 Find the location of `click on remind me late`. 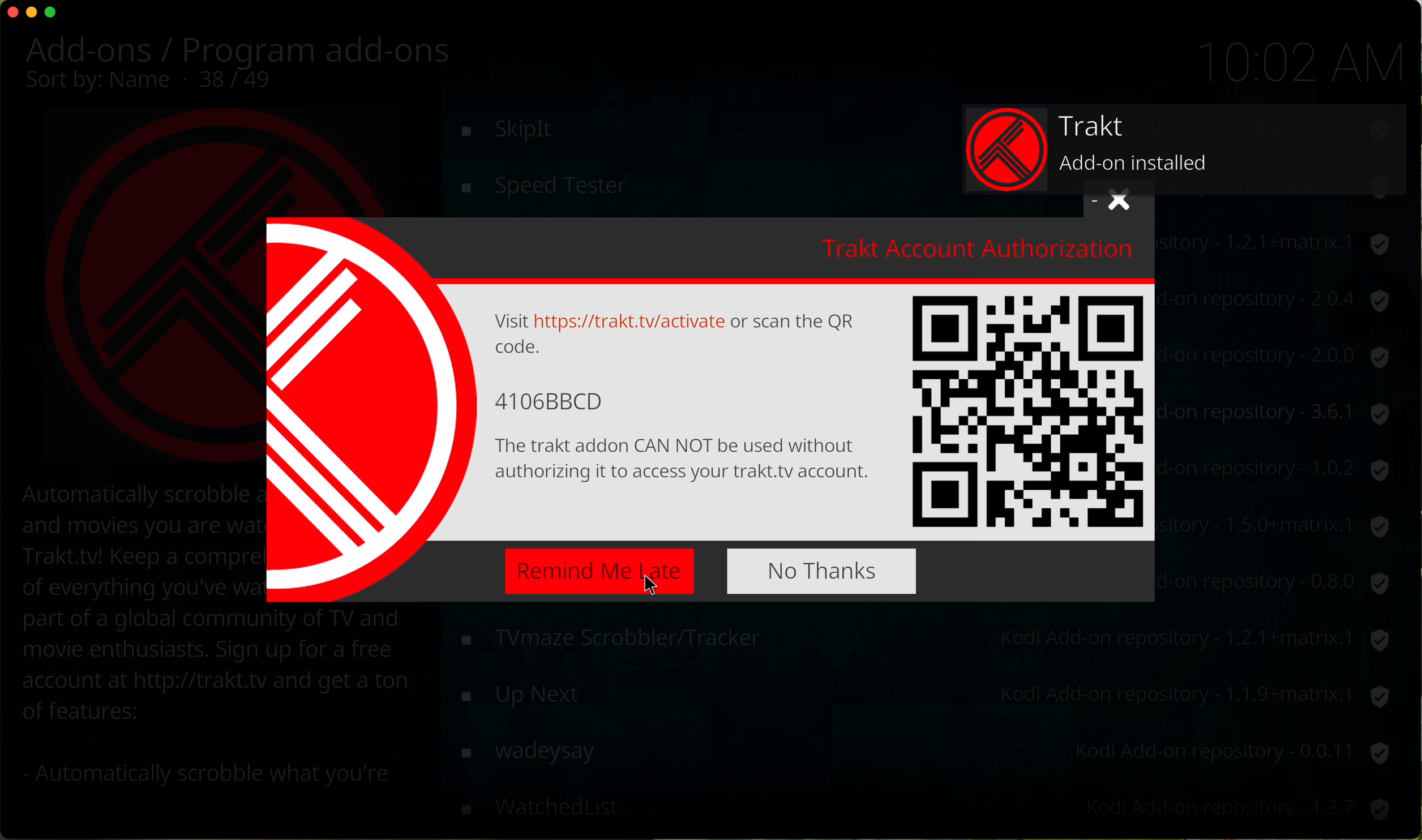

click on remind me late is located at coordinates (601, 571).